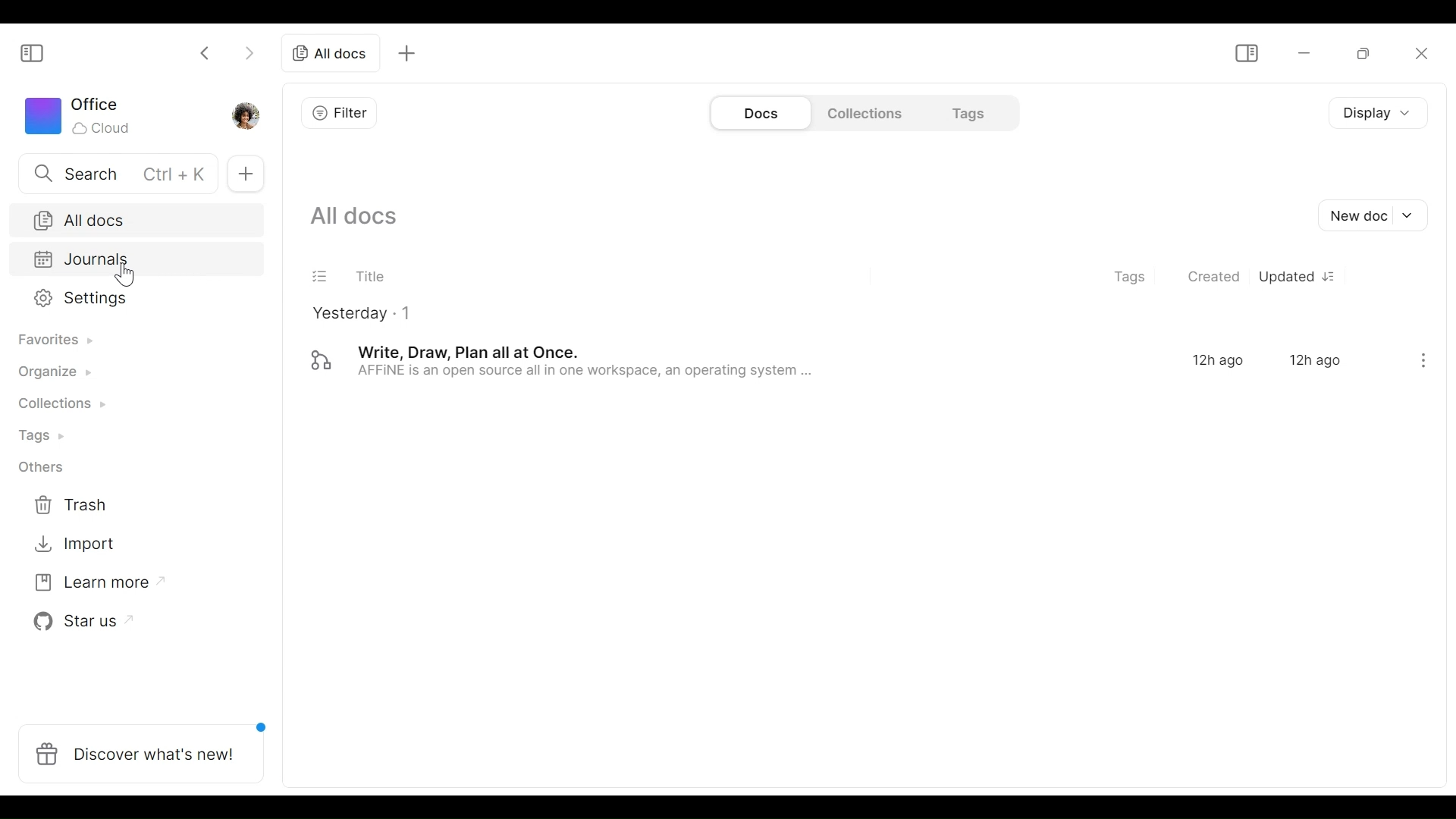 The image size is (1456, 819). Describe the element at coordinates (77, 542) in the screenshot. I see `Import` at that location.